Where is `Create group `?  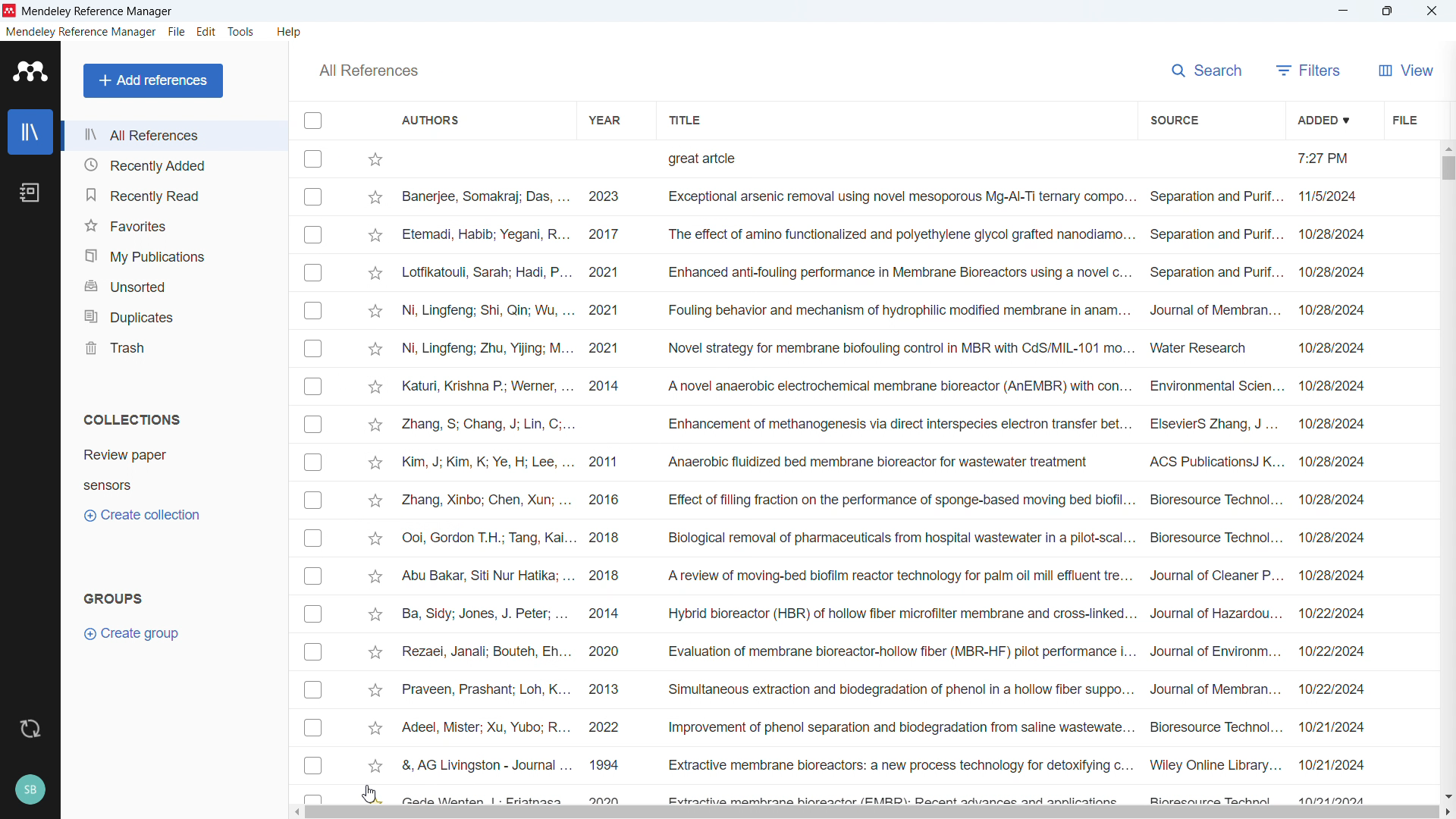
Create group  is located at coordinates (133, 634).